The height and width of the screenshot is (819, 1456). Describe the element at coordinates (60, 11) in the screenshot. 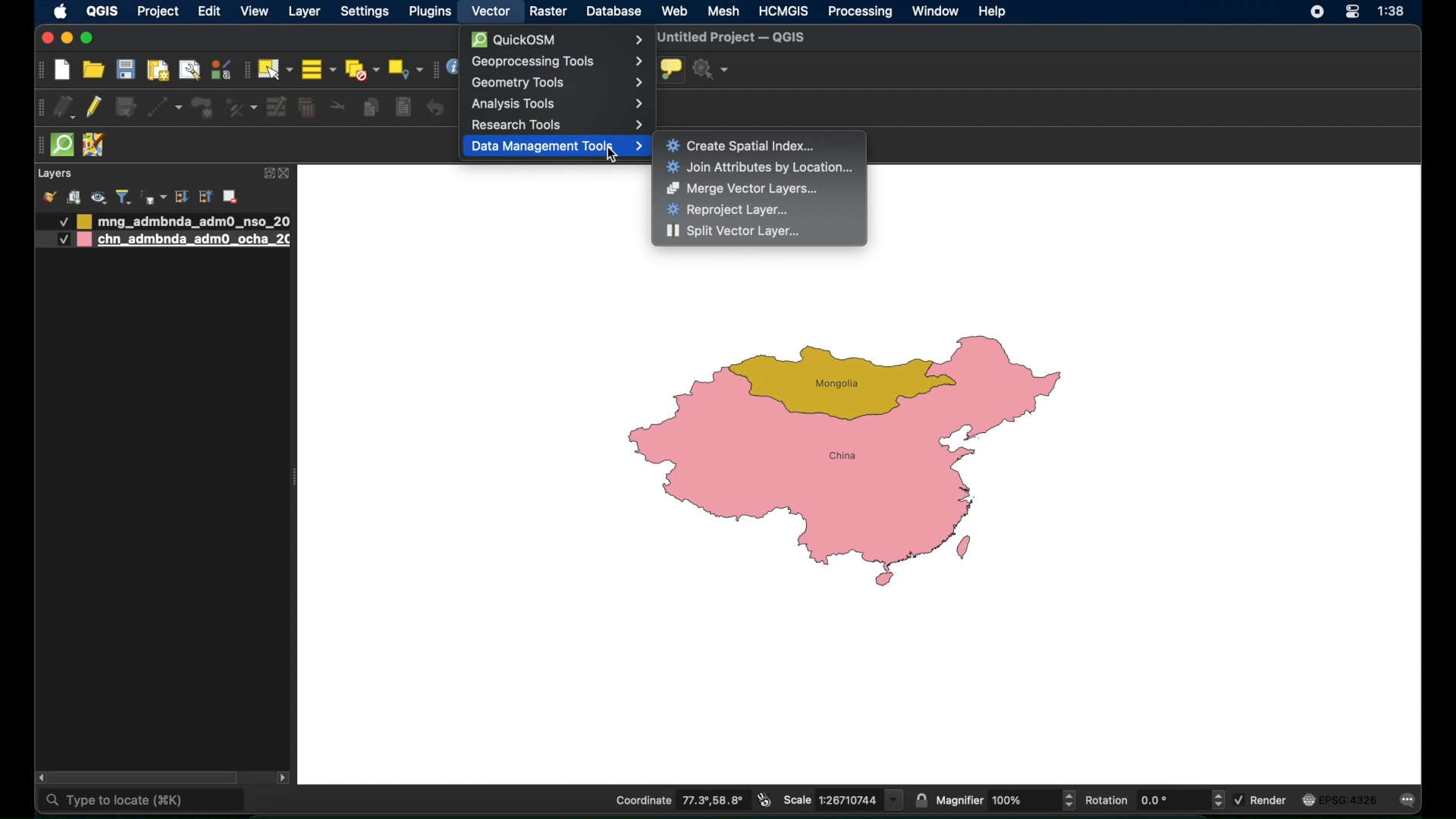

I see `apple icon` at that location.